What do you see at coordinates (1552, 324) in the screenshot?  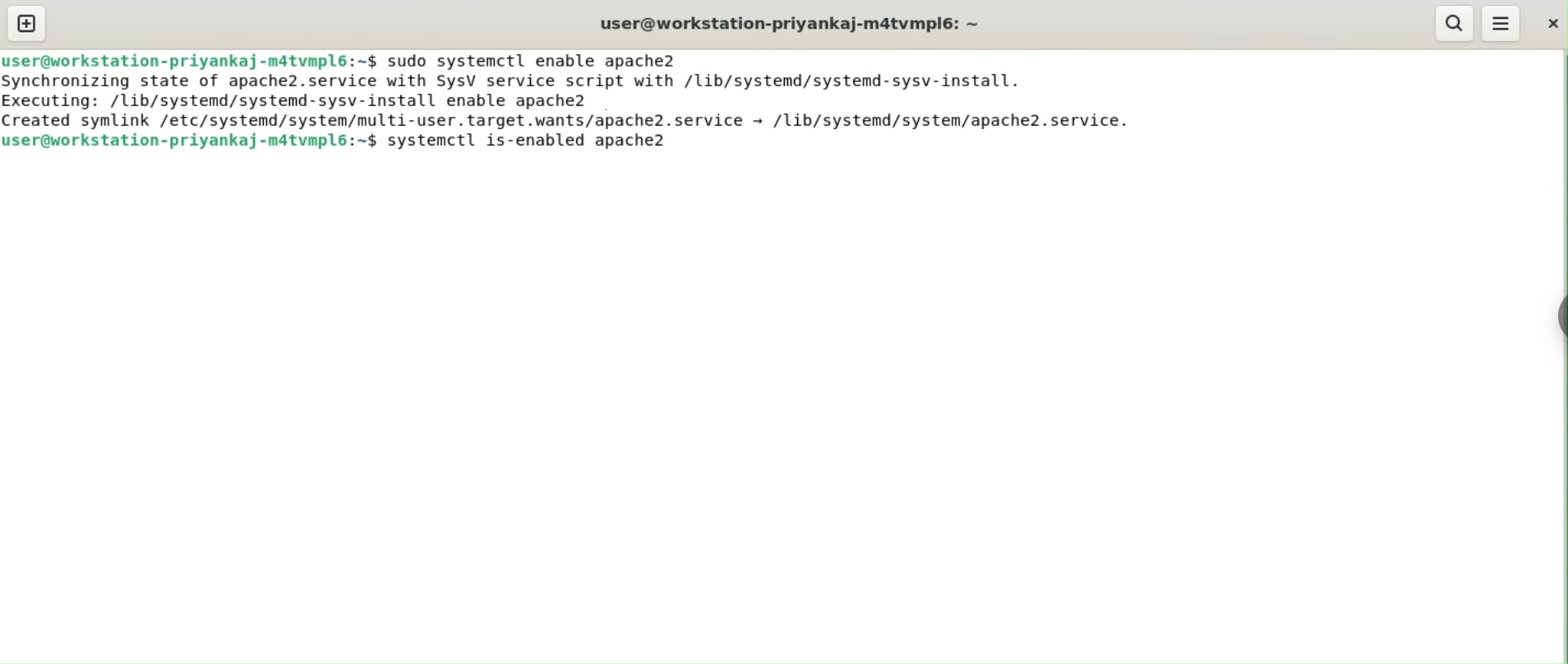 I see `Toggle Button` at bounding box center [1552, 324].